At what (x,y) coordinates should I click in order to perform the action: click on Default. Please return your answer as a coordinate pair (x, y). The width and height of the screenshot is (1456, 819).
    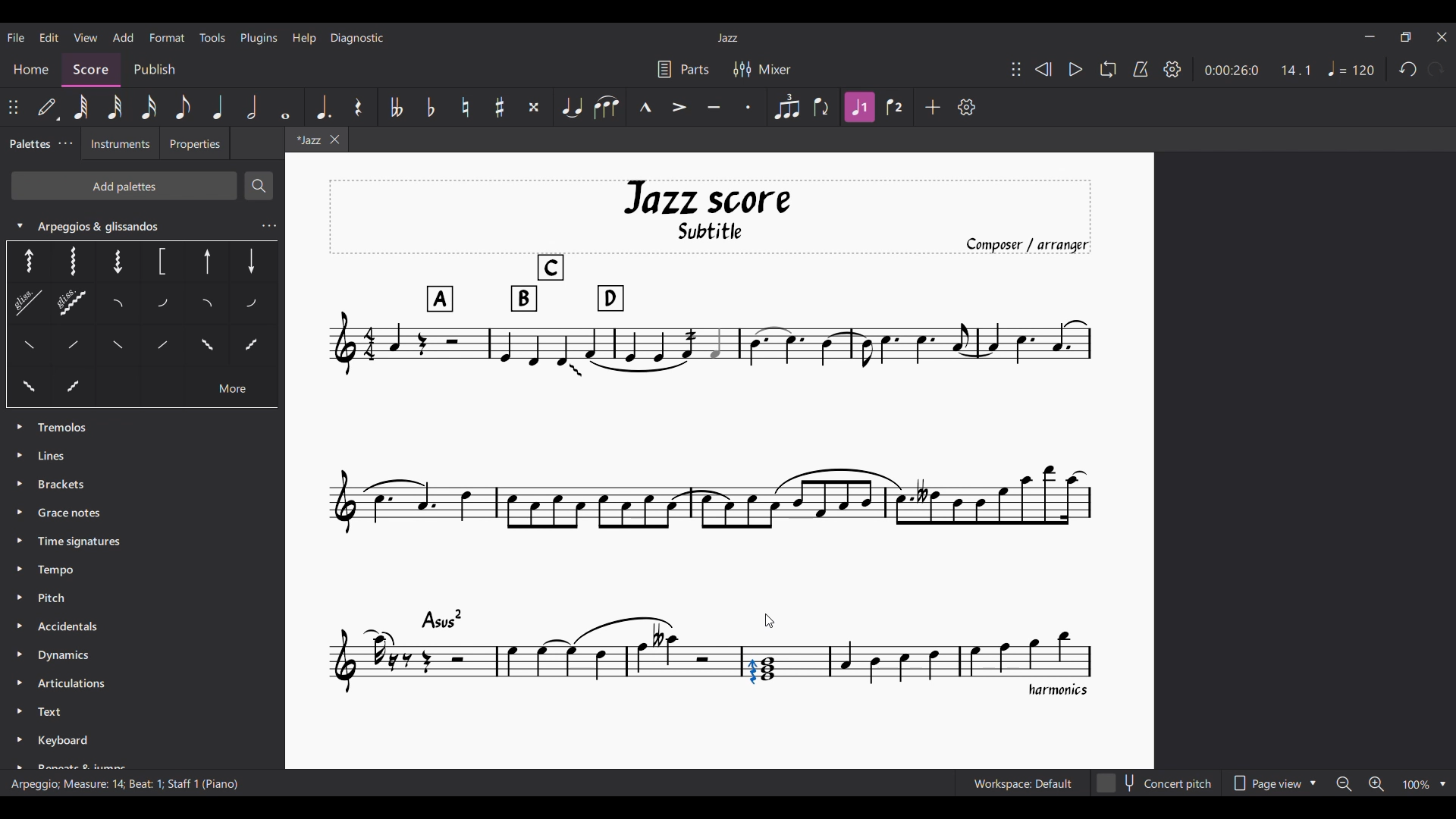
    Looking at the image, I should click on (49, 107).